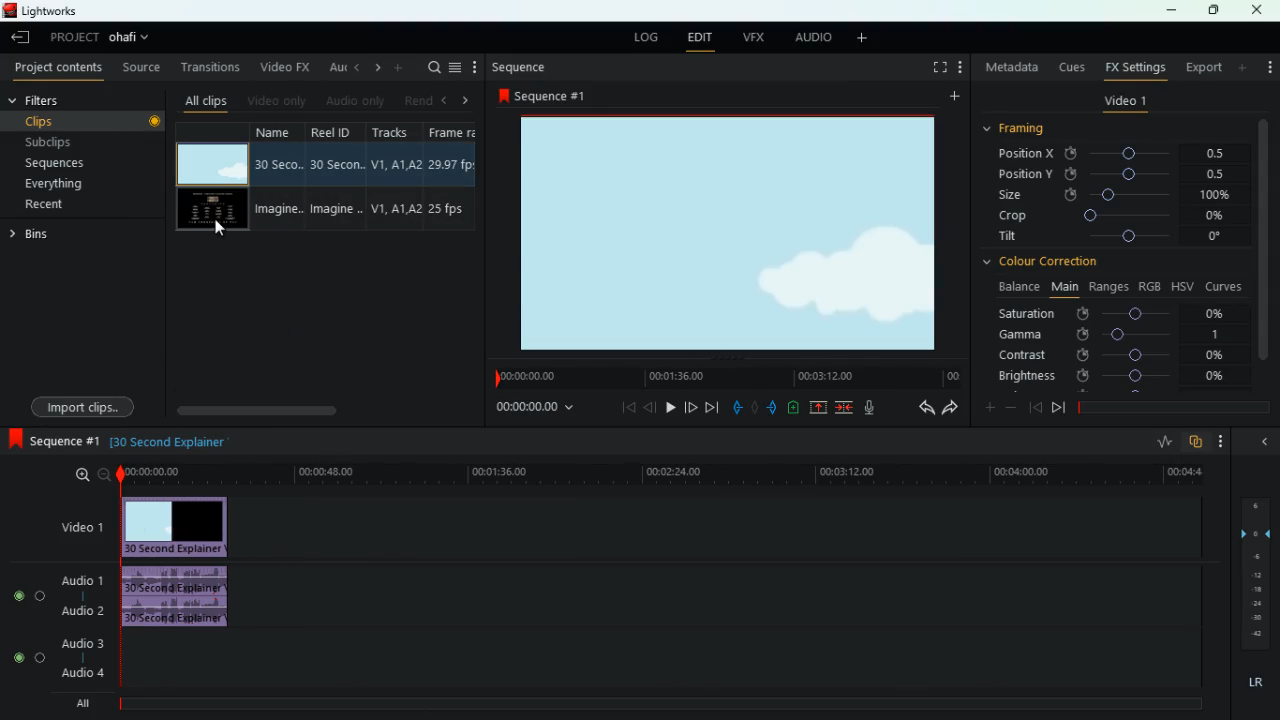  Describe the element at coordinates (71, 184) in the screenshot. I see `everything` at that location.